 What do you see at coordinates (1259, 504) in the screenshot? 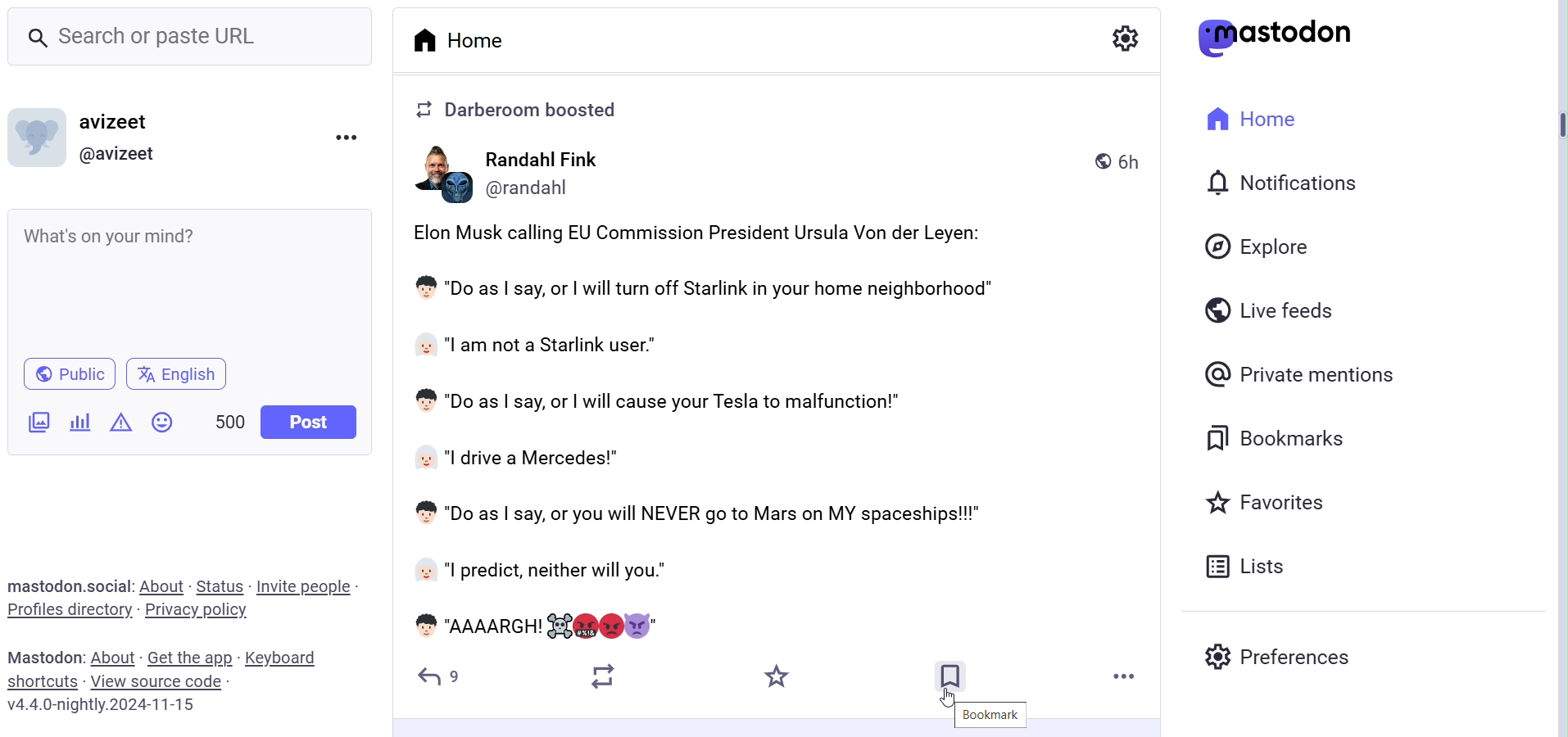
I see `Favorites` at bounding box center [1259, 504].